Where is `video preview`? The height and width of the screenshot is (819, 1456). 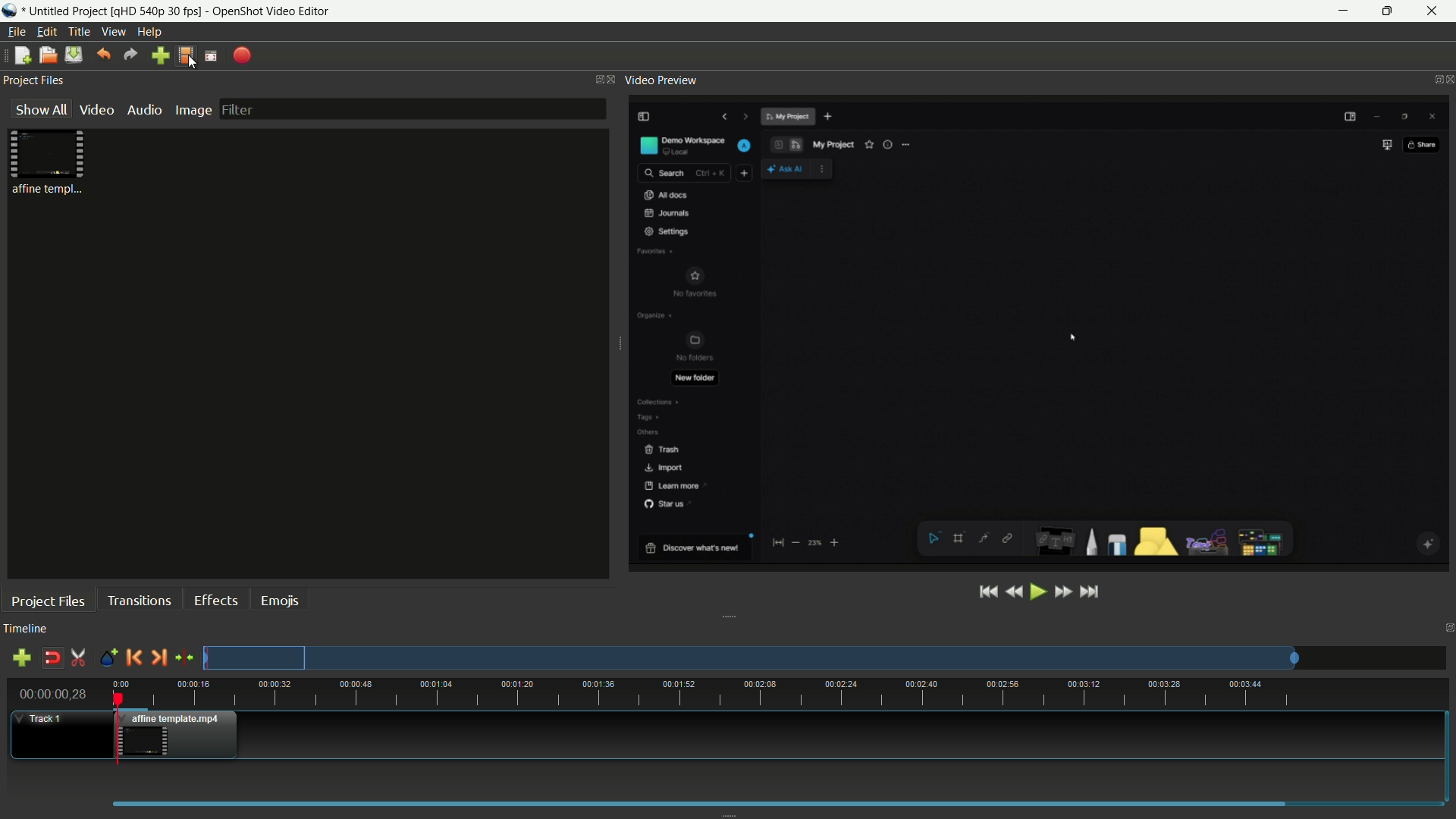
video preview is located at coordinates (1043, 331).